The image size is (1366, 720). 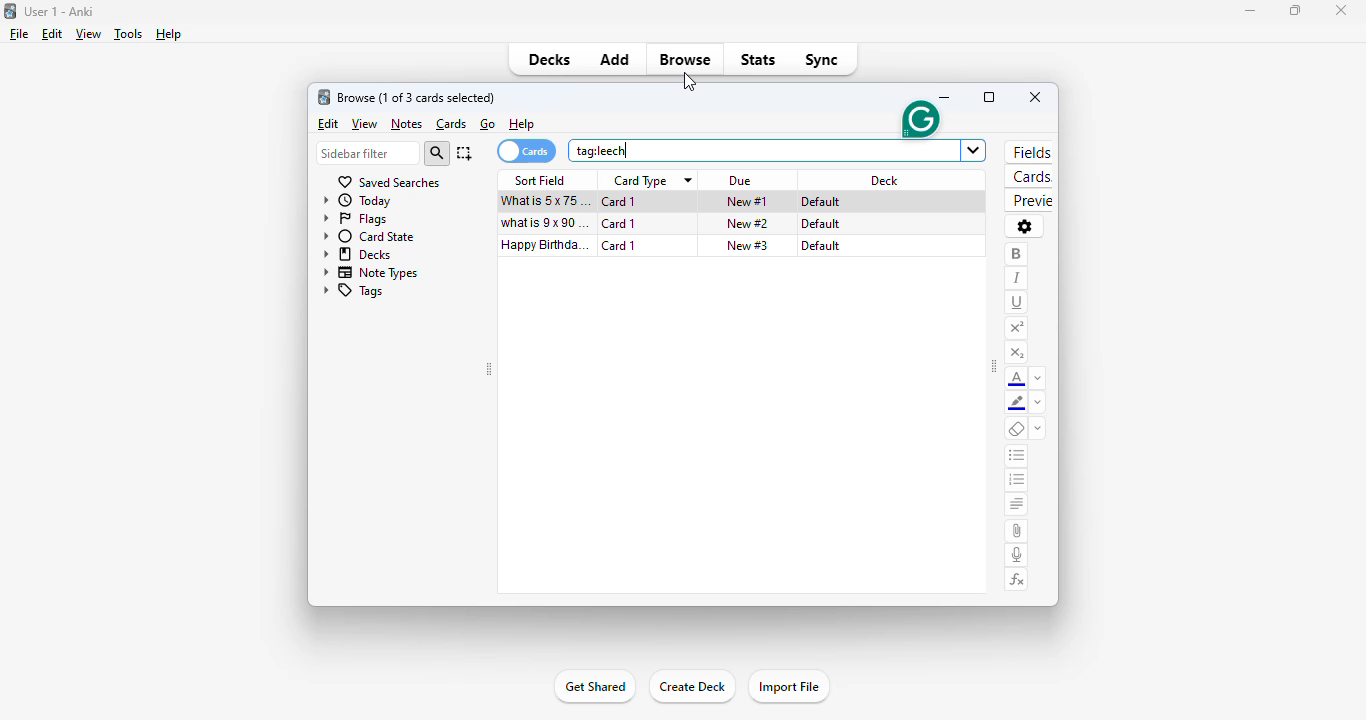 What do you see at coordinates (748, 202) in the screenshot?
I see `new #1` at bounding box center [748, 202].